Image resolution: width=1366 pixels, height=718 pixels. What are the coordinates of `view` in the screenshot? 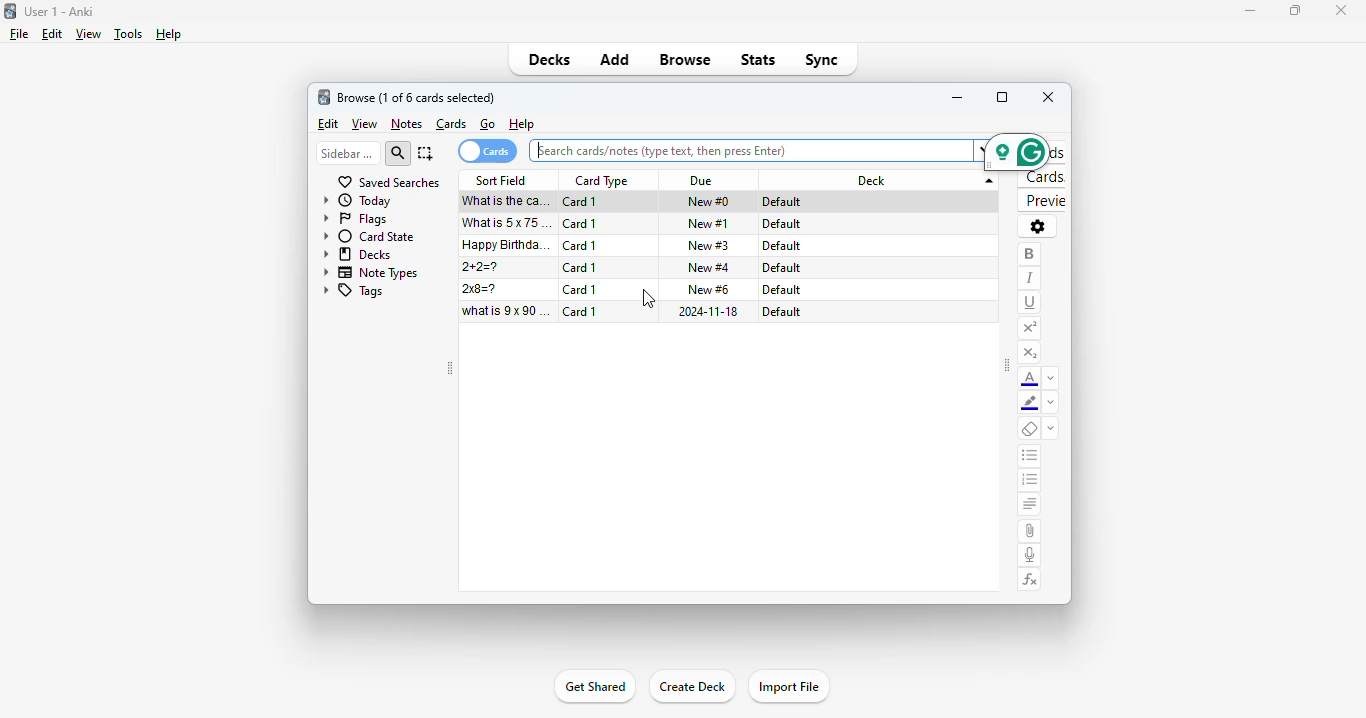 It's located at (364, 124).